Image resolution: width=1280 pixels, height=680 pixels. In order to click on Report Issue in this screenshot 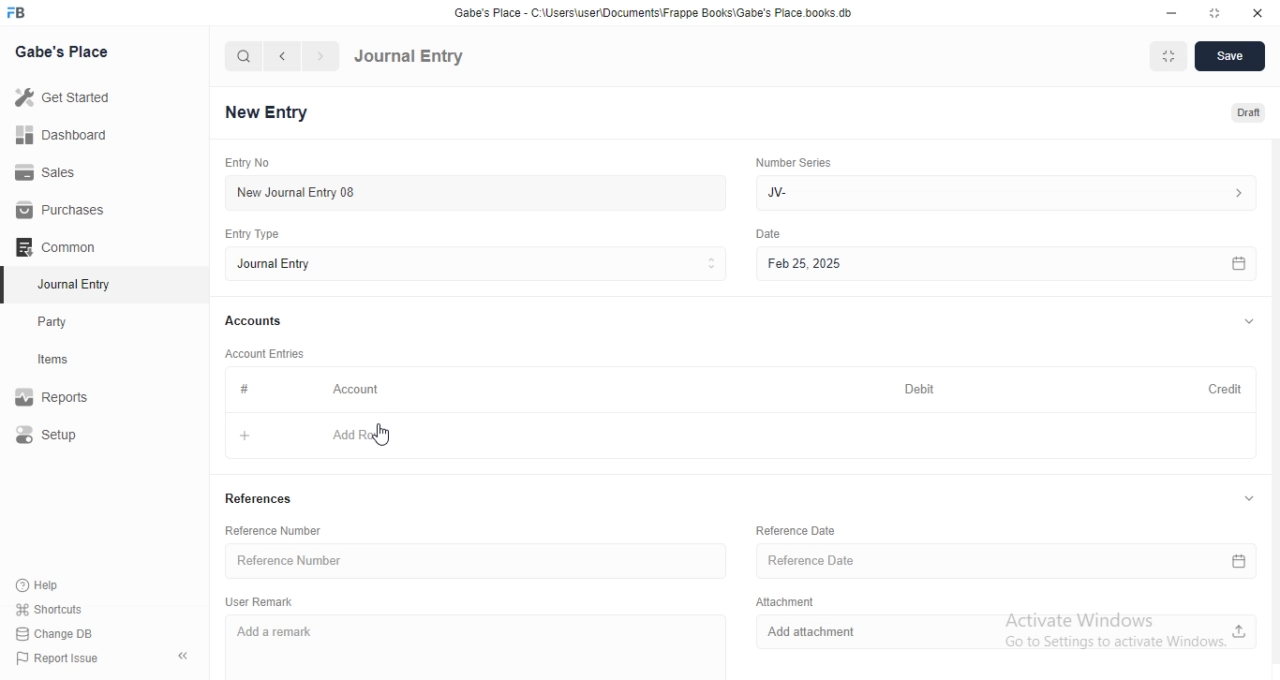, I will do `click(67, 658)`.